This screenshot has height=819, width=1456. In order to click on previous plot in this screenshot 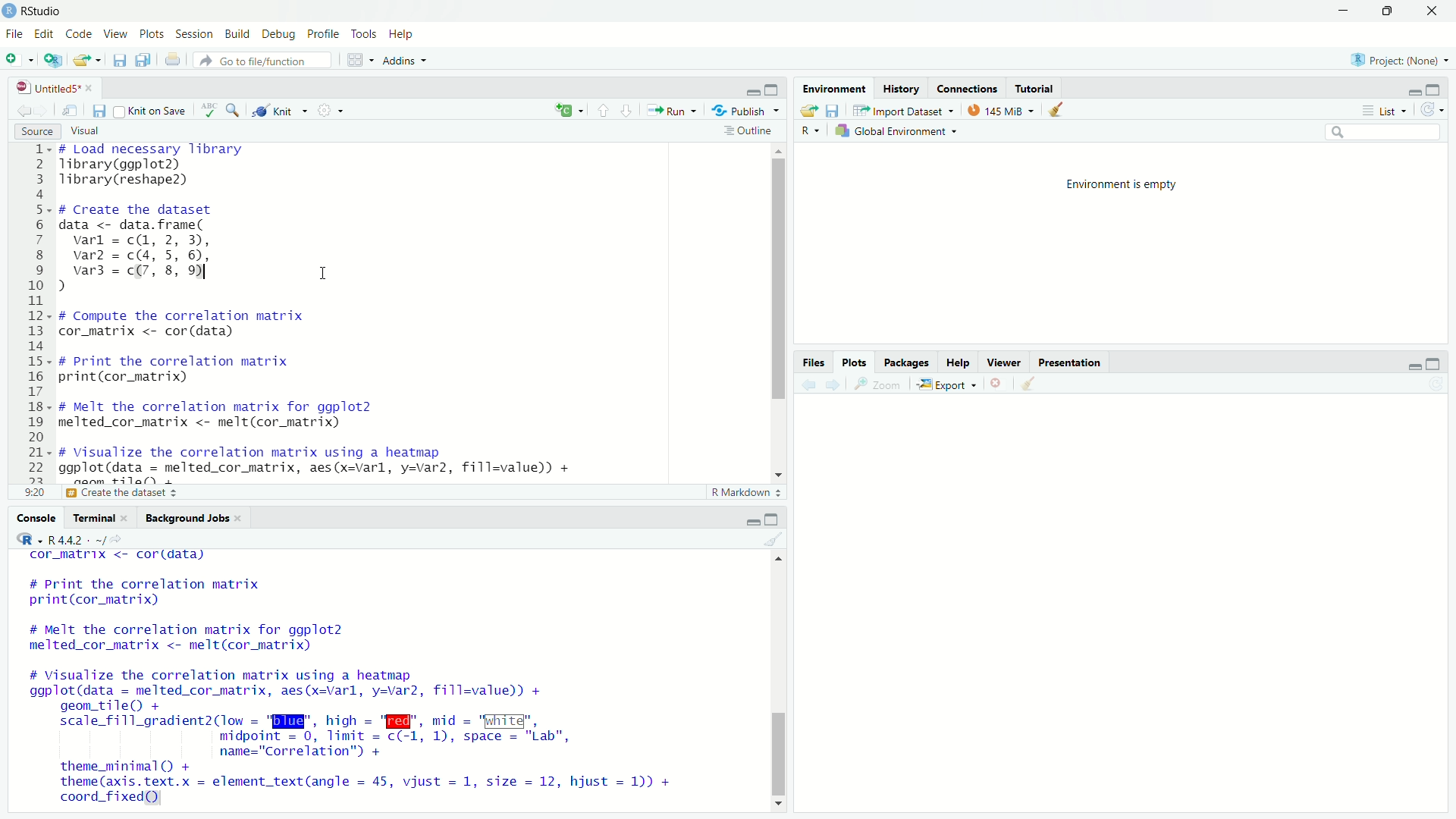, I will do `click(807, 384)`.